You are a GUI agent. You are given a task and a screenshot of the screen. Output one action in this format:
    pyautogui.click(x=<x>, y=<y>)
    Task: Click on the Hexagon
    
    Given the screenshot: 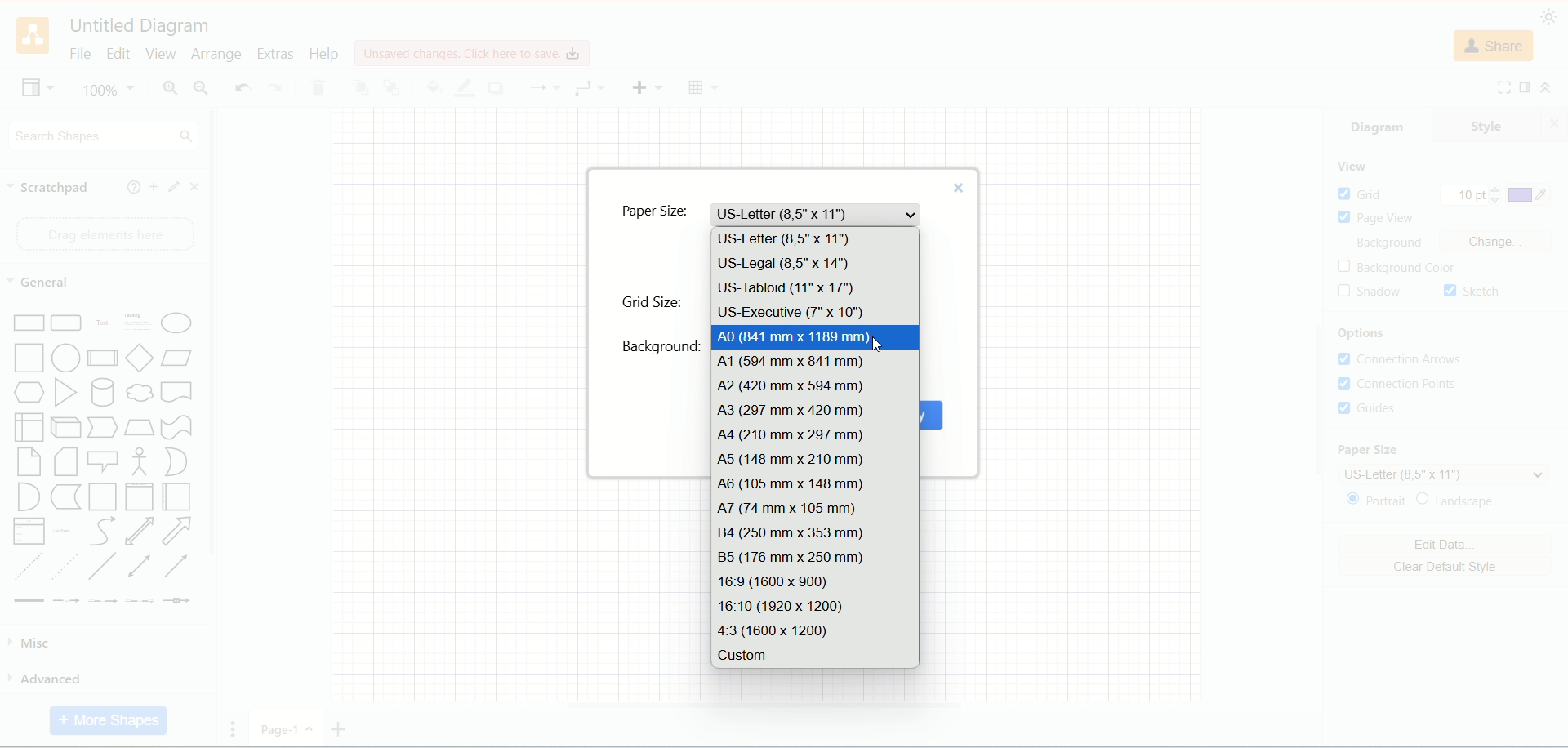 What is the action you would take?
    pyautogui.click(x=30, y=394)
    